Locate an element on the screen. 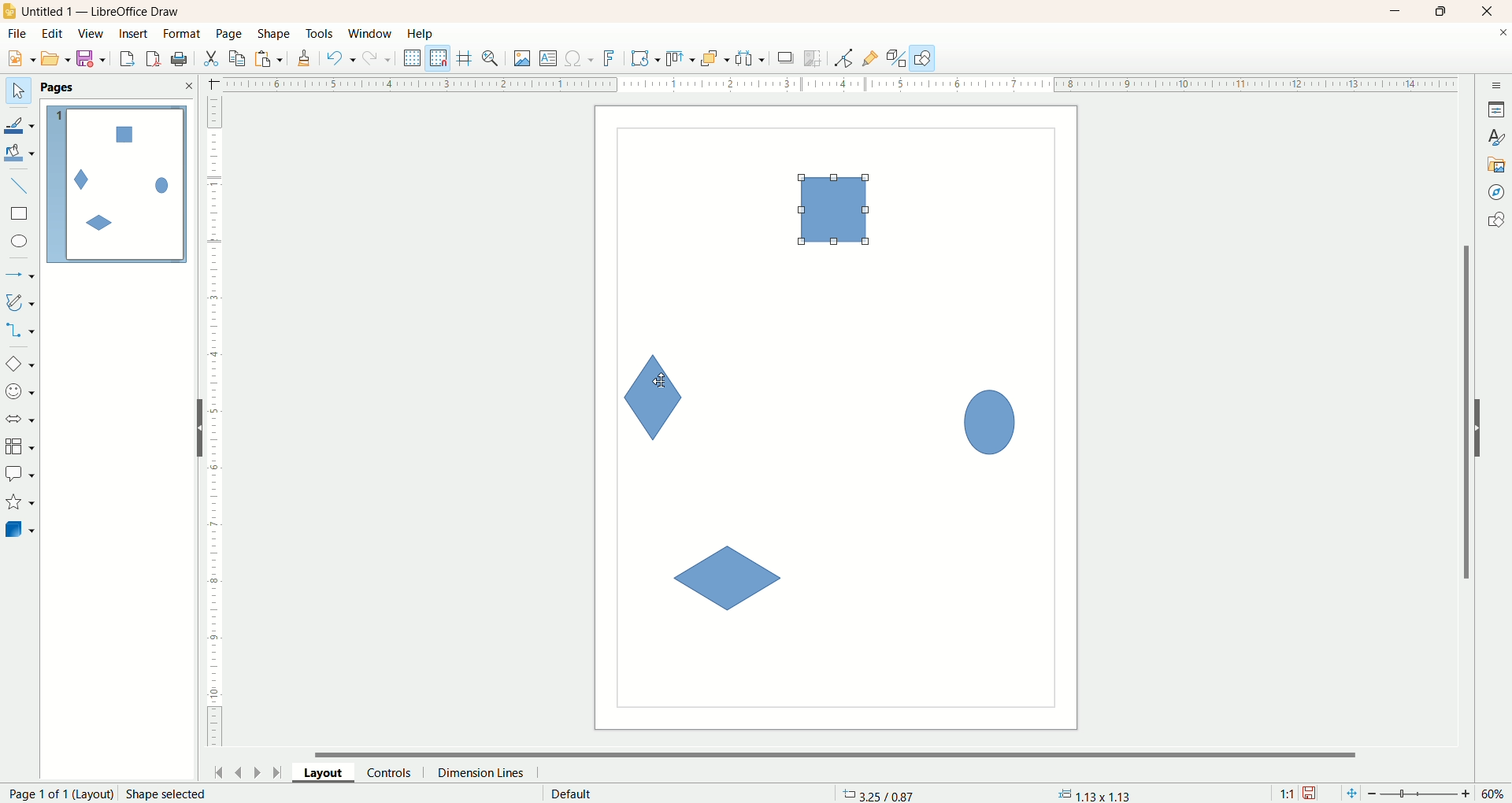 The width and height of the screenshot is (1512, 803). zo is located at coordinates (493, 58).